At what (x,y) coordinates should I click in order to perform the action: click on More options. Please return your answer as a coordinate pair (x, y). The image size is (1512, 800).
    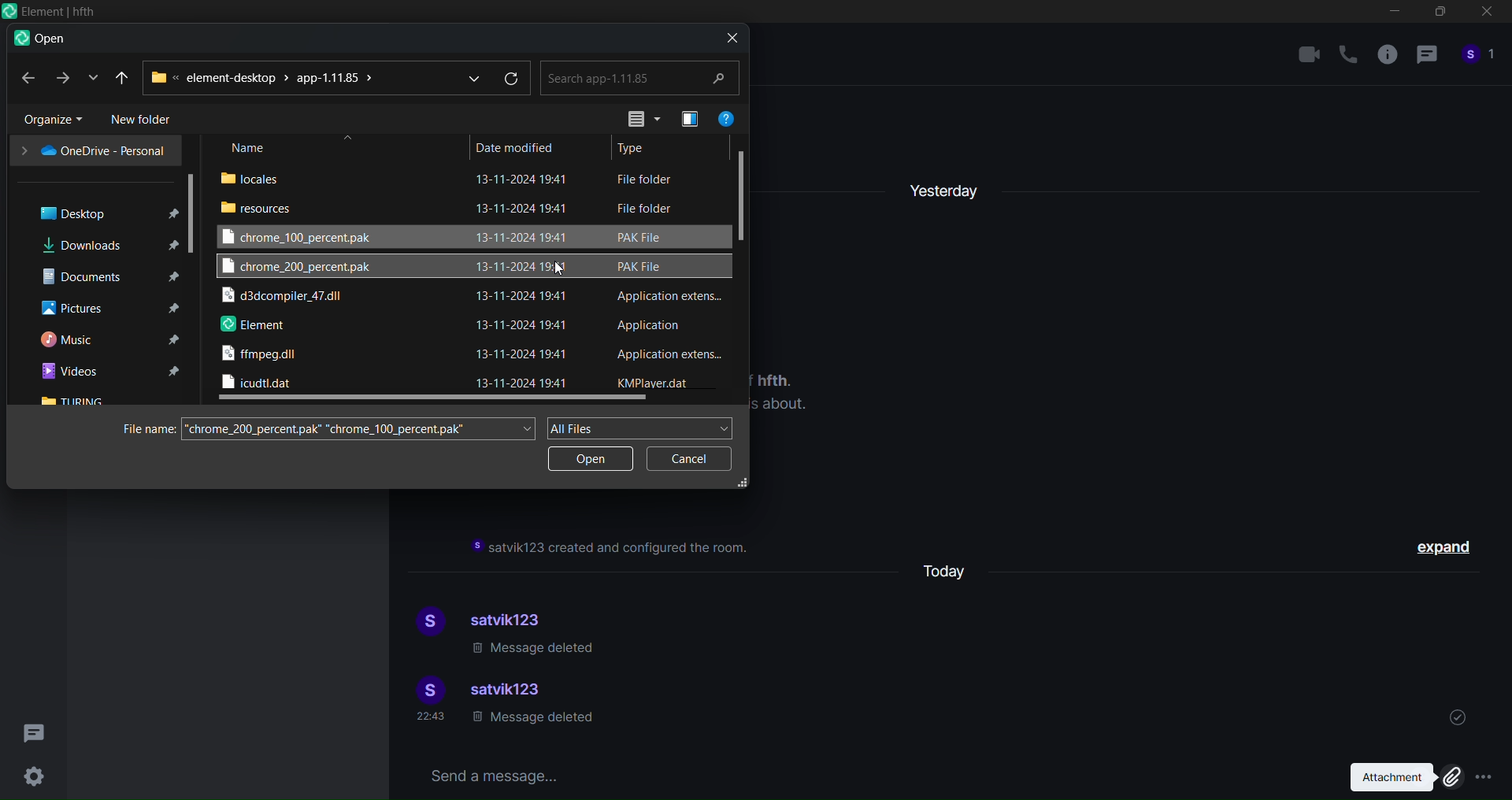
    Looking at the image, I should click on (1490, 779).